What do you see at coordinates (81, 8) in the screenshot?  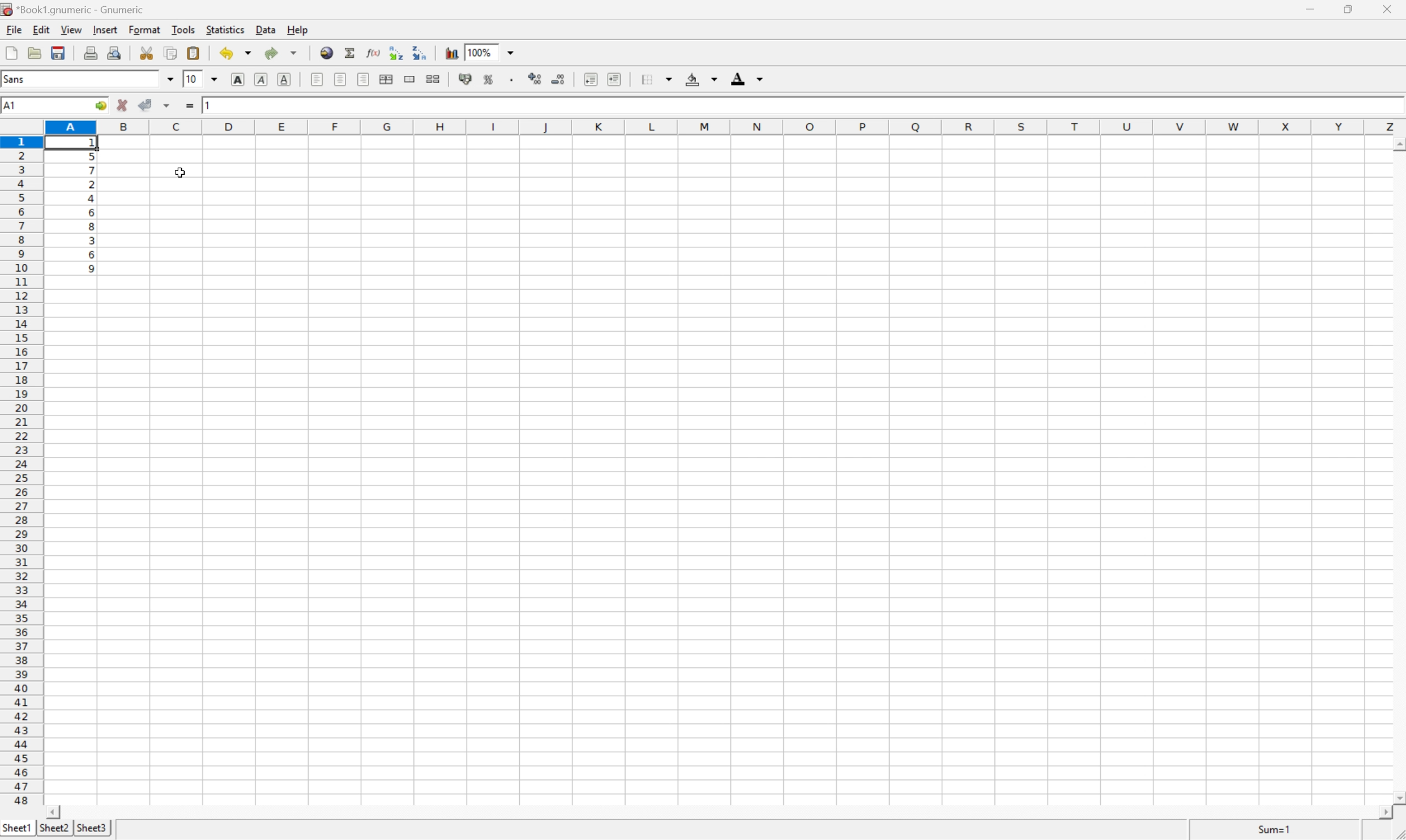 I see `application name` at bounding box center [81, 8].